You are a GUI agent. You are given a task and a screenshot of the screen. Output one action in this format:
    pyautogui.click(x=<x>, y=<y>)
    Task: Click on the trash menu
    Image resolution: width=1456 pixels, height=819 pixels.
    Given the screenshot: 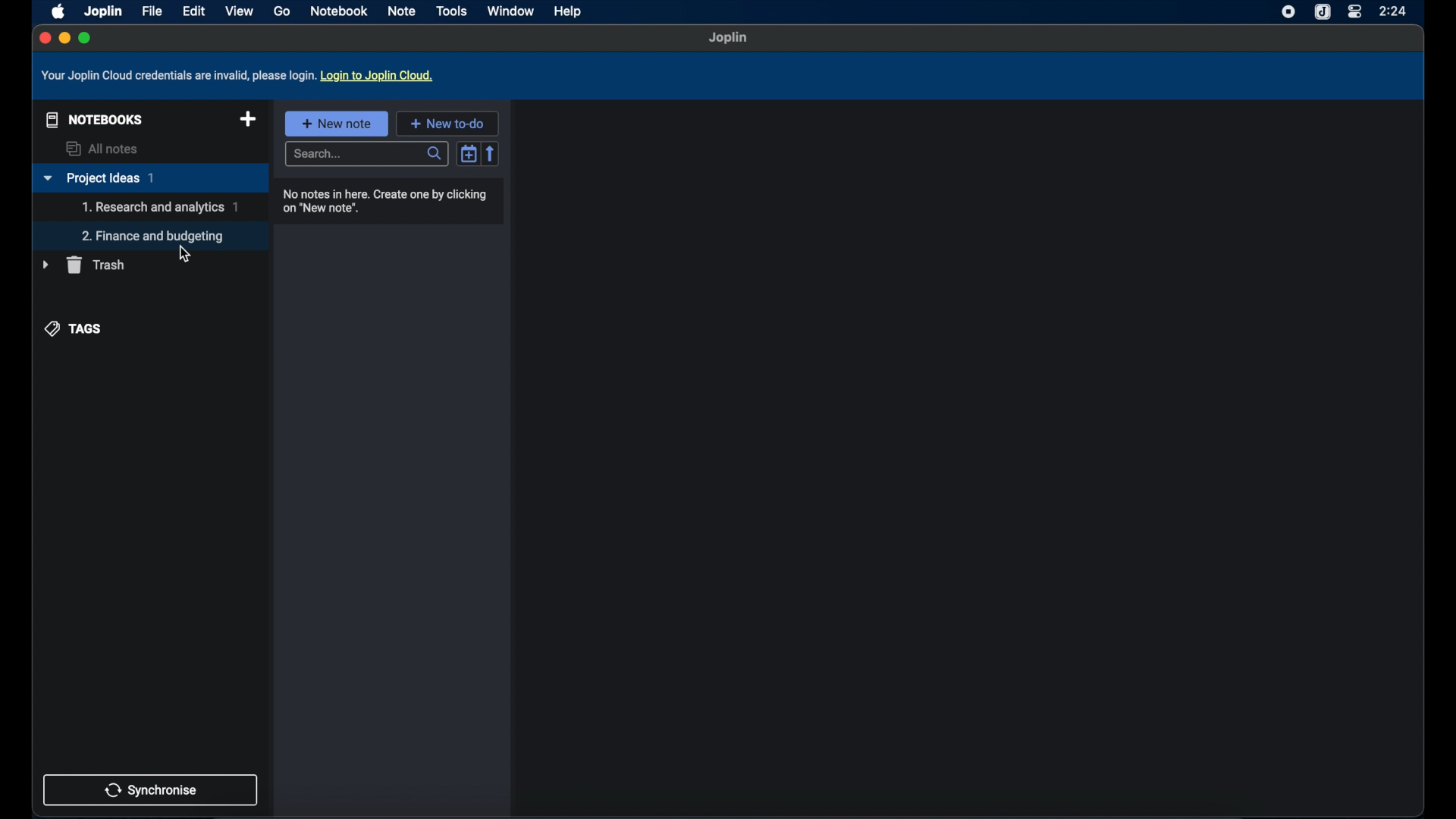 What is the action you would take?
    pyautogui.click(x=83, y=265)
    